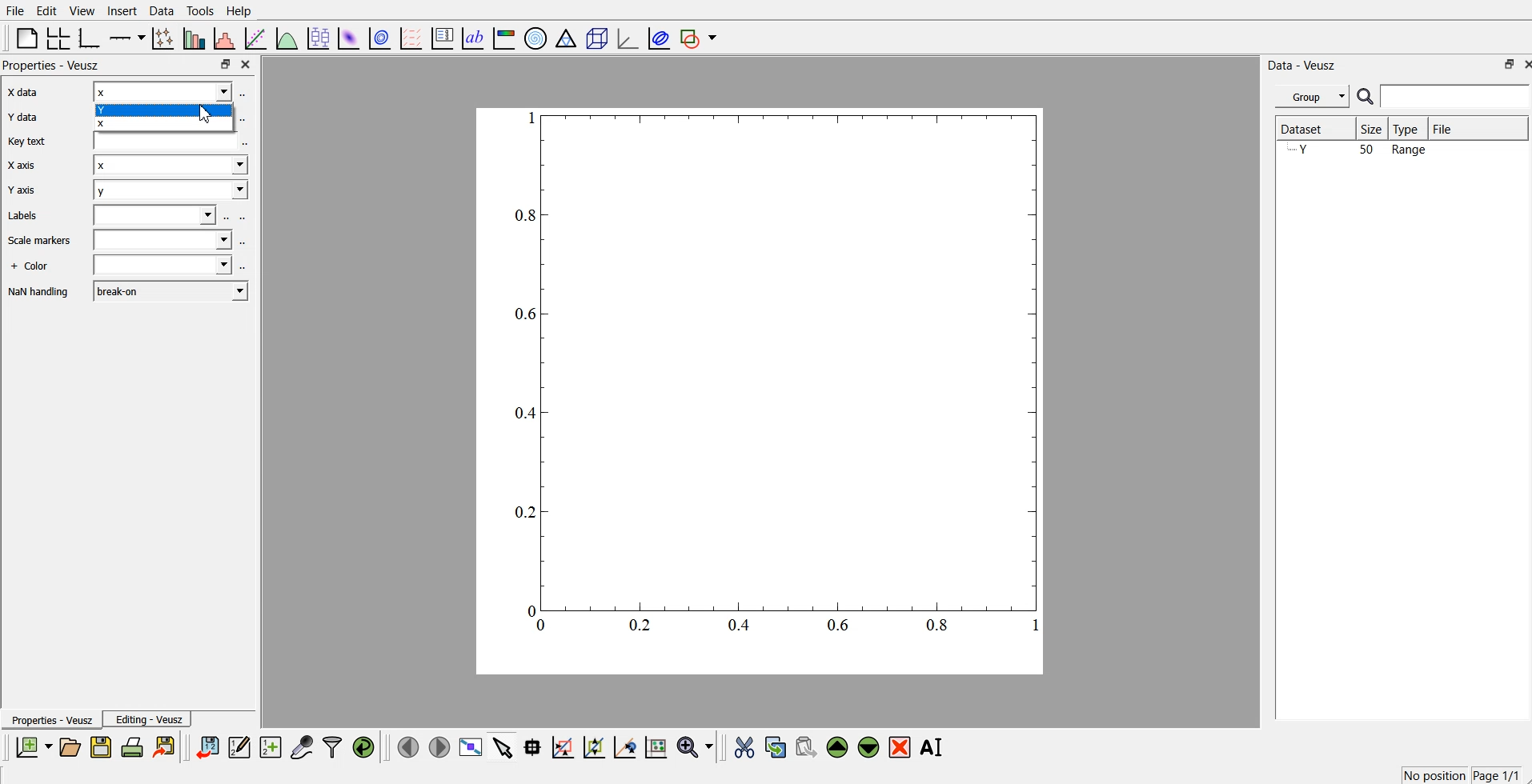 This screenshot has height=784, width=1532. Describe the element at coordinates (288, 36) in the screenshot. I see `plot a function` at that location.